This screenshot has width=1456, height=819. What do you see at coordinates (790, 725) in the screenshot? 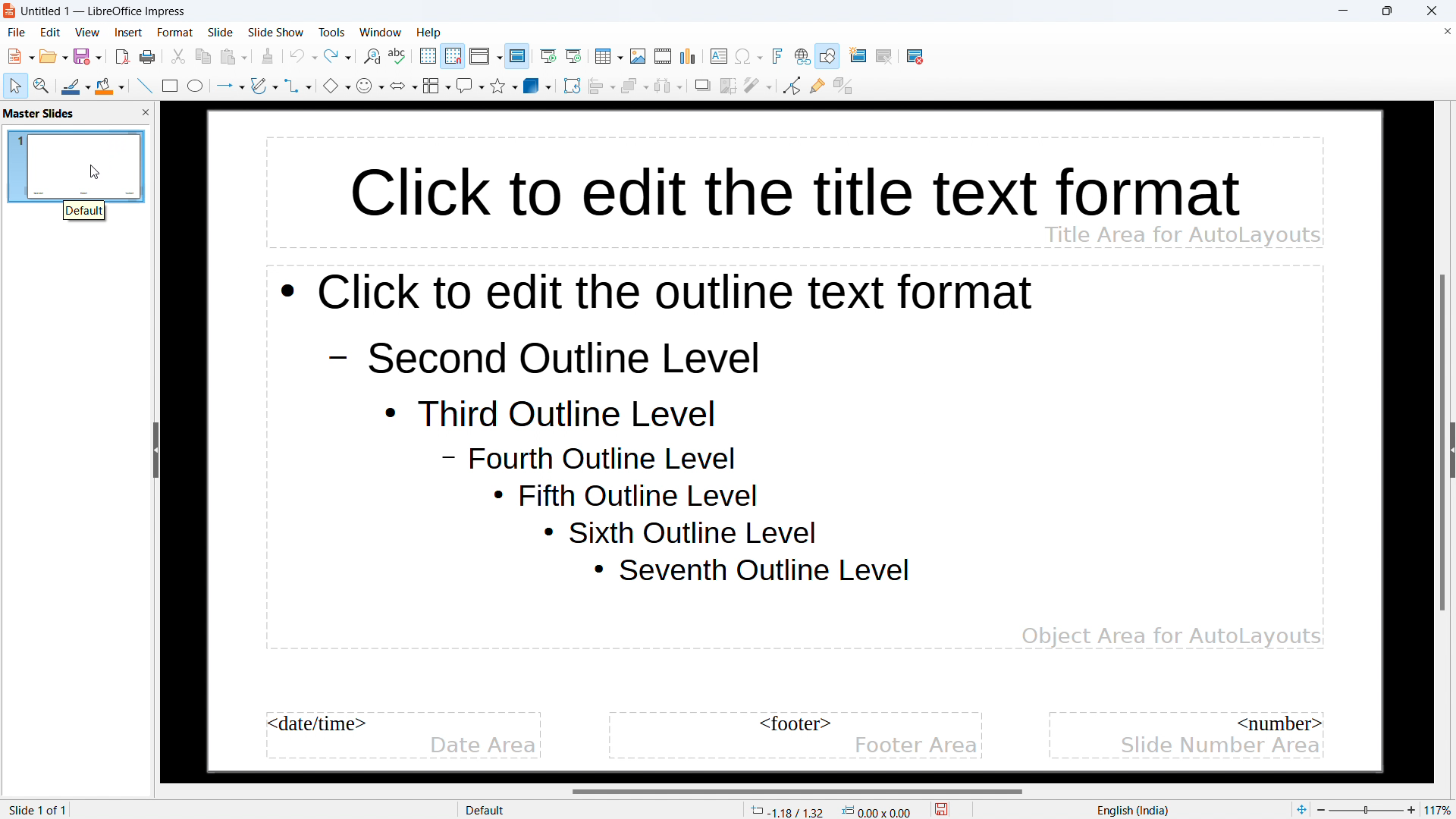
I see `<footer>` at bounding box center [790, 725].